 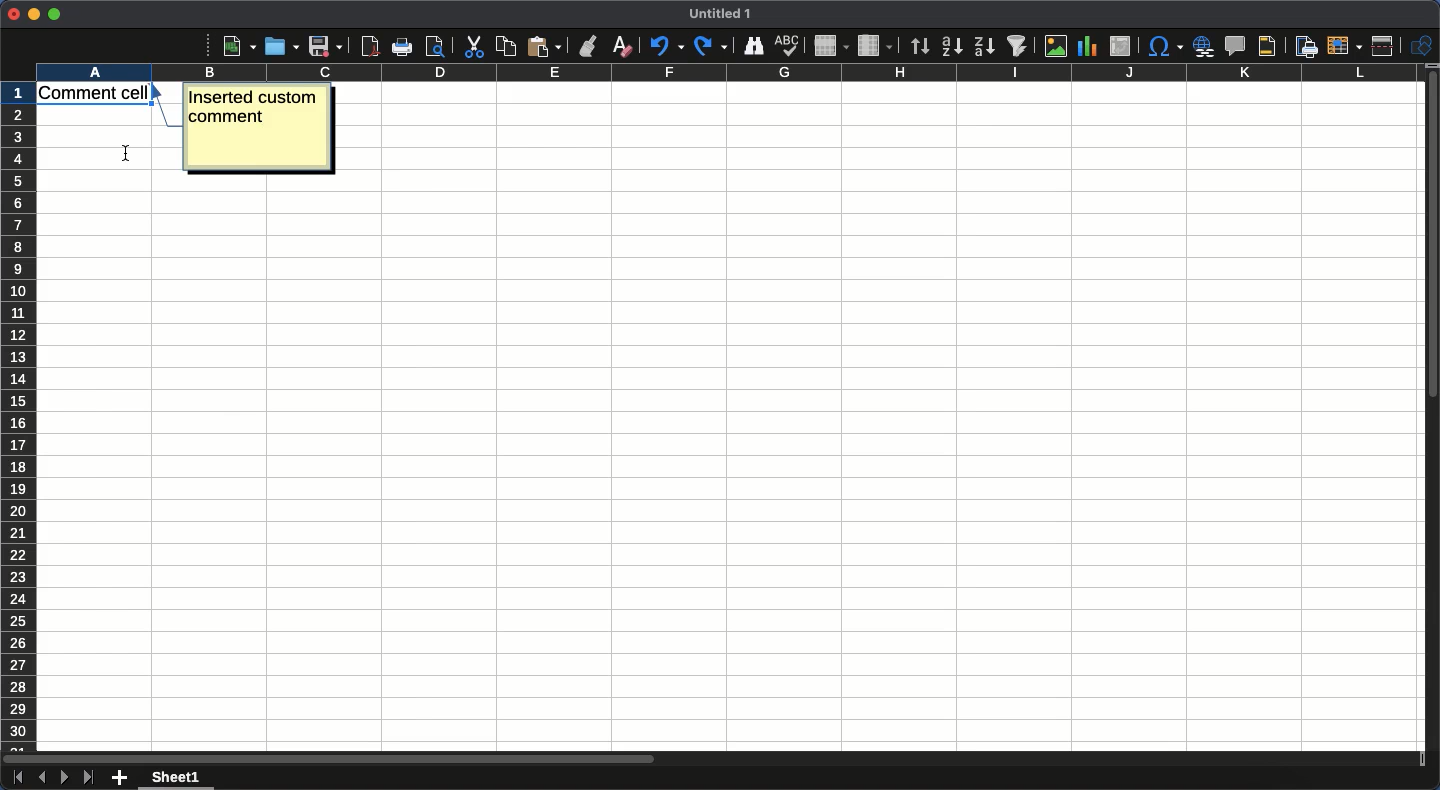 What do you see at coordinates (921, 46) in the screenshot?
I see `Sorting` at bounding box center [921, 46].